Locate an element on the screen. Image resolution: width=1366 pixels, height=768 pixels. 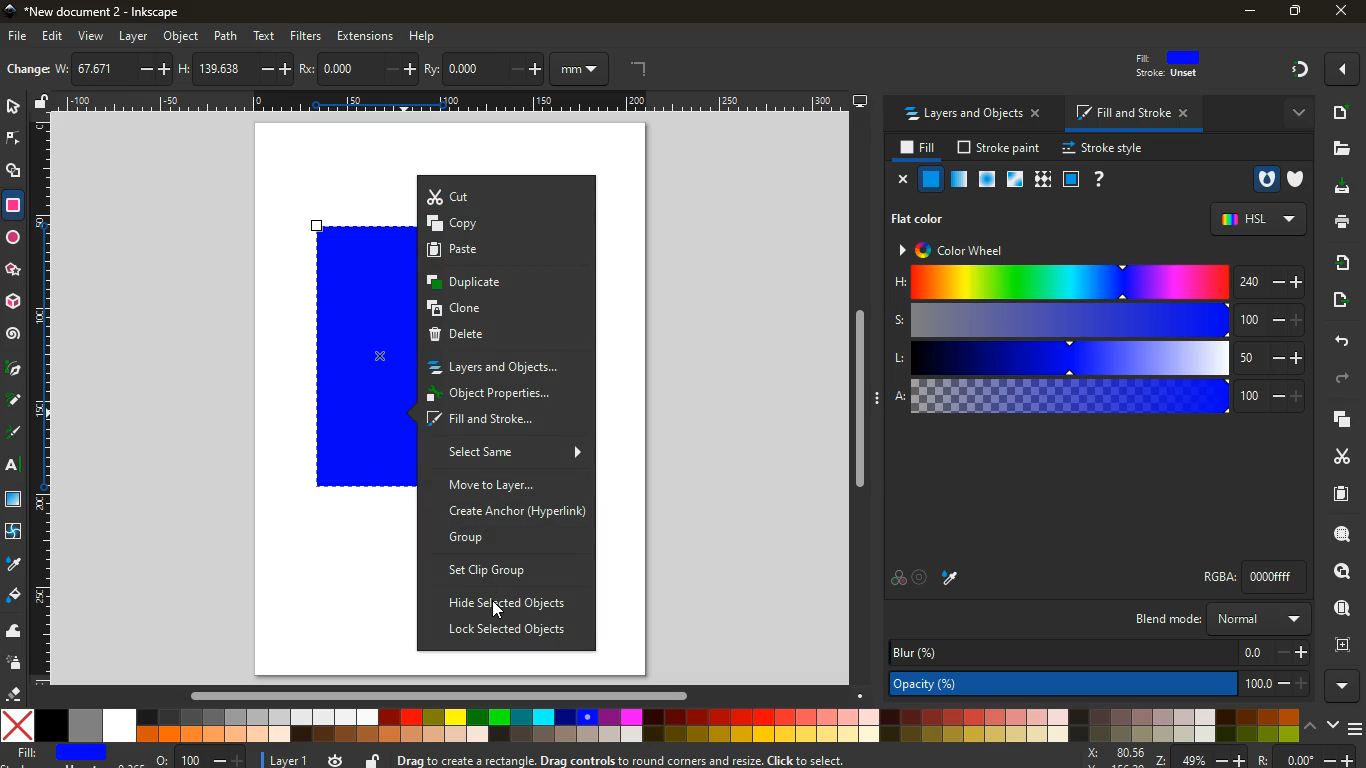
new is located at coordinates (1345, 114).